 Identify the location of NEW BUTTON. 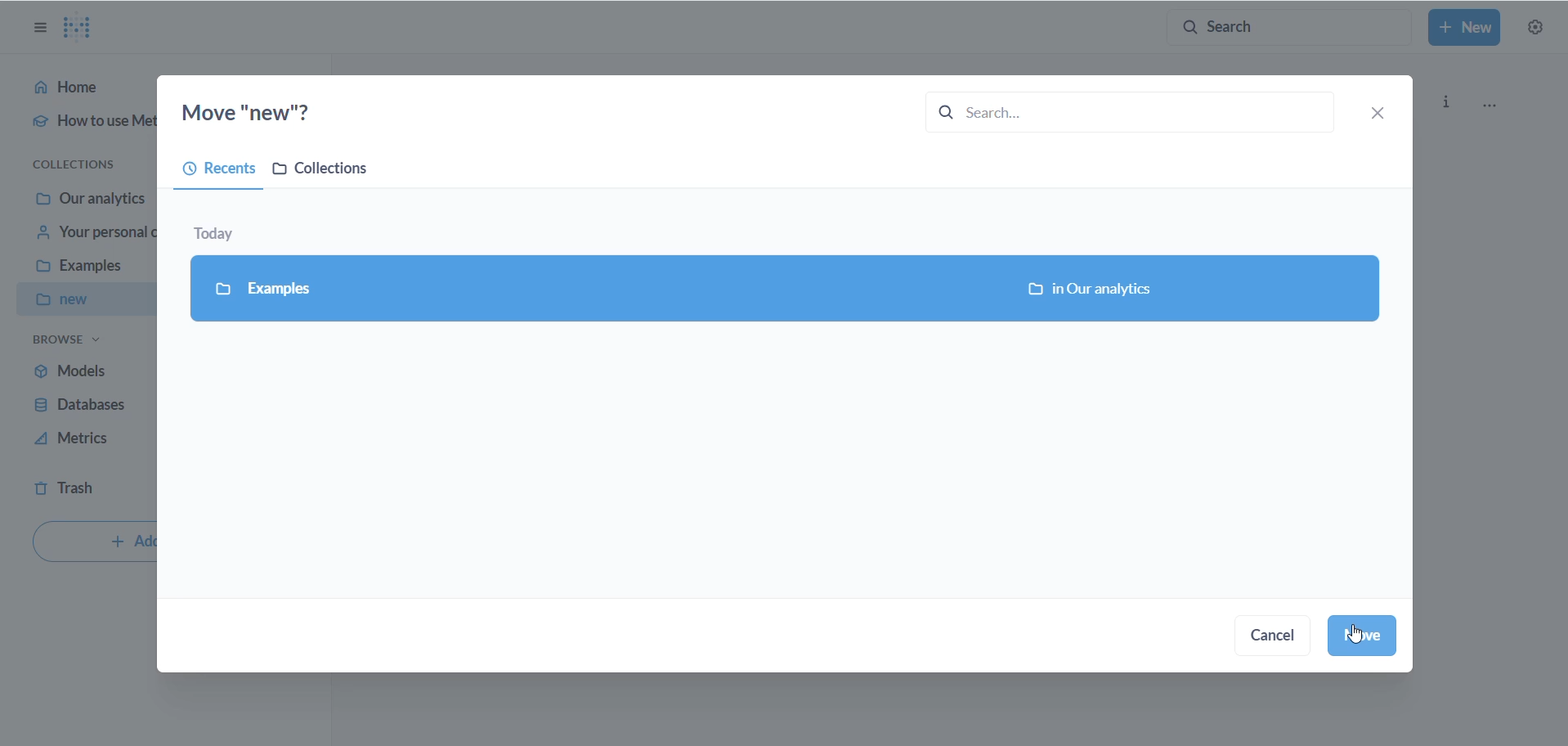
(1465, 29).